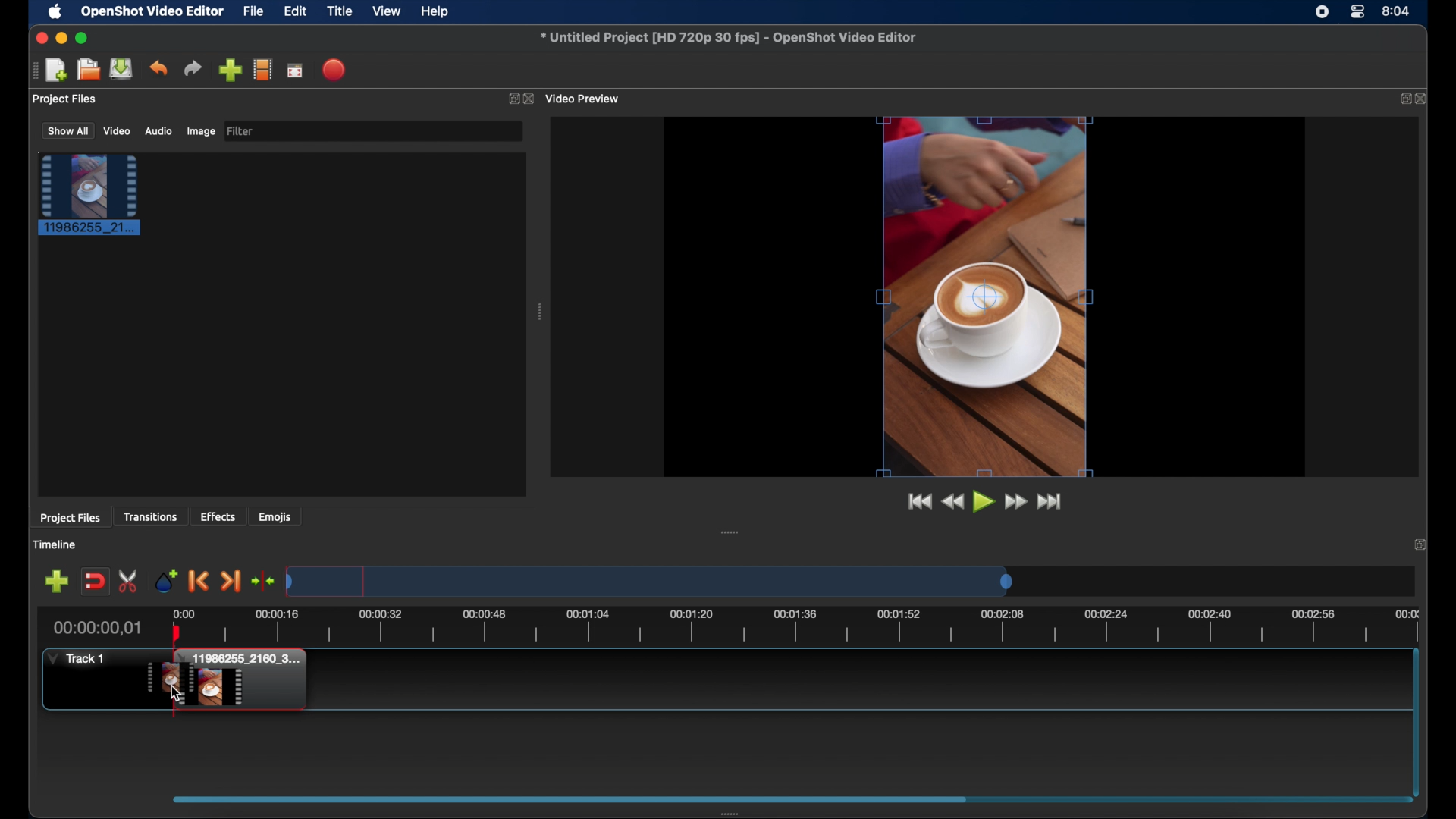 The image size is (1456, 819). Describe the element at coordinates (122, 69) in the screenshot. I see `save project` at that location.